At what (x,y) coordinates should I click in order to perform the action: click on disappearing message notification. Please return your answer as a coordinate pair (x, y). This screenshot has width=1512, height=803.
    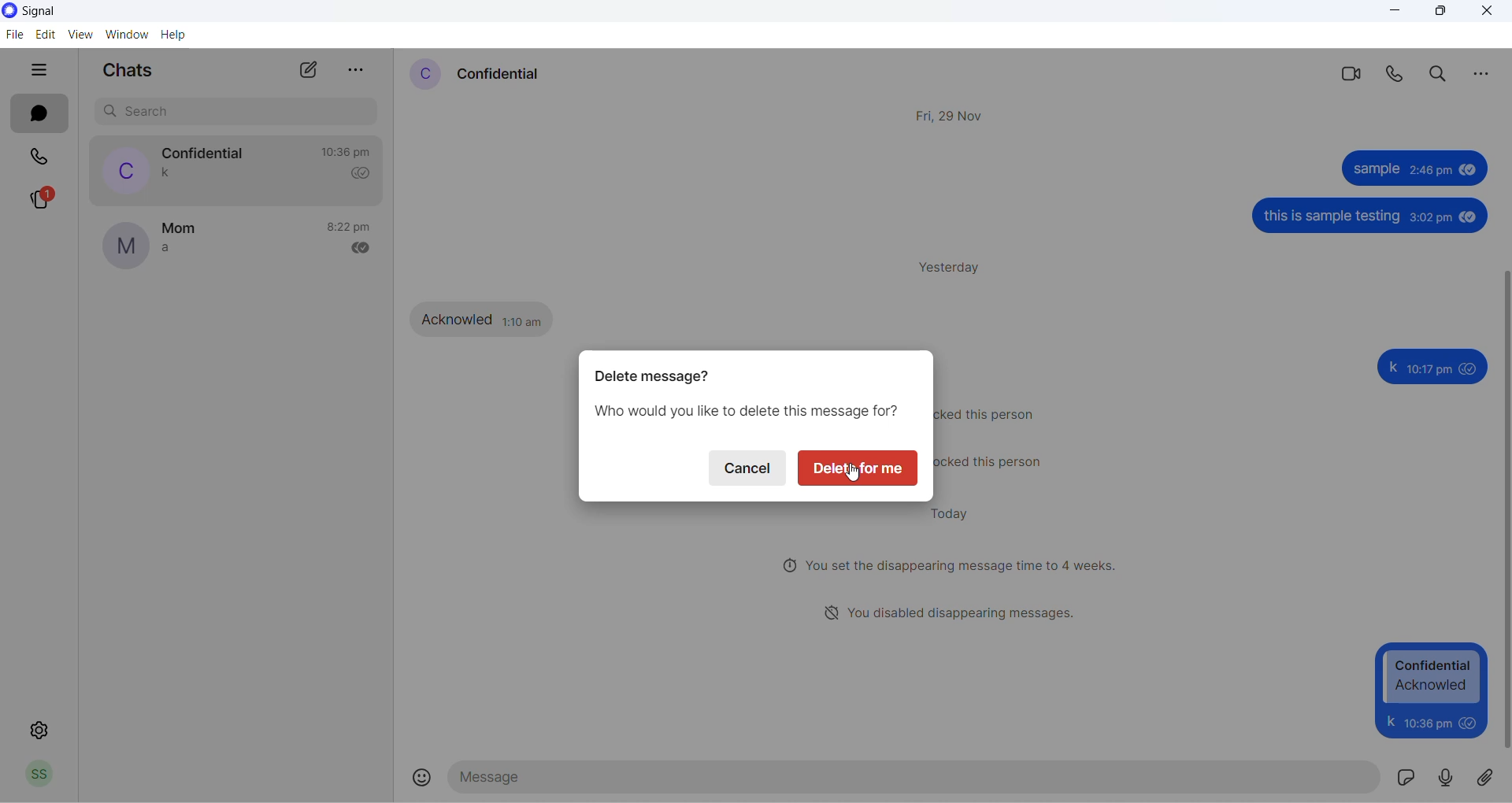
    Looking at the image, I should click on (938, 609).